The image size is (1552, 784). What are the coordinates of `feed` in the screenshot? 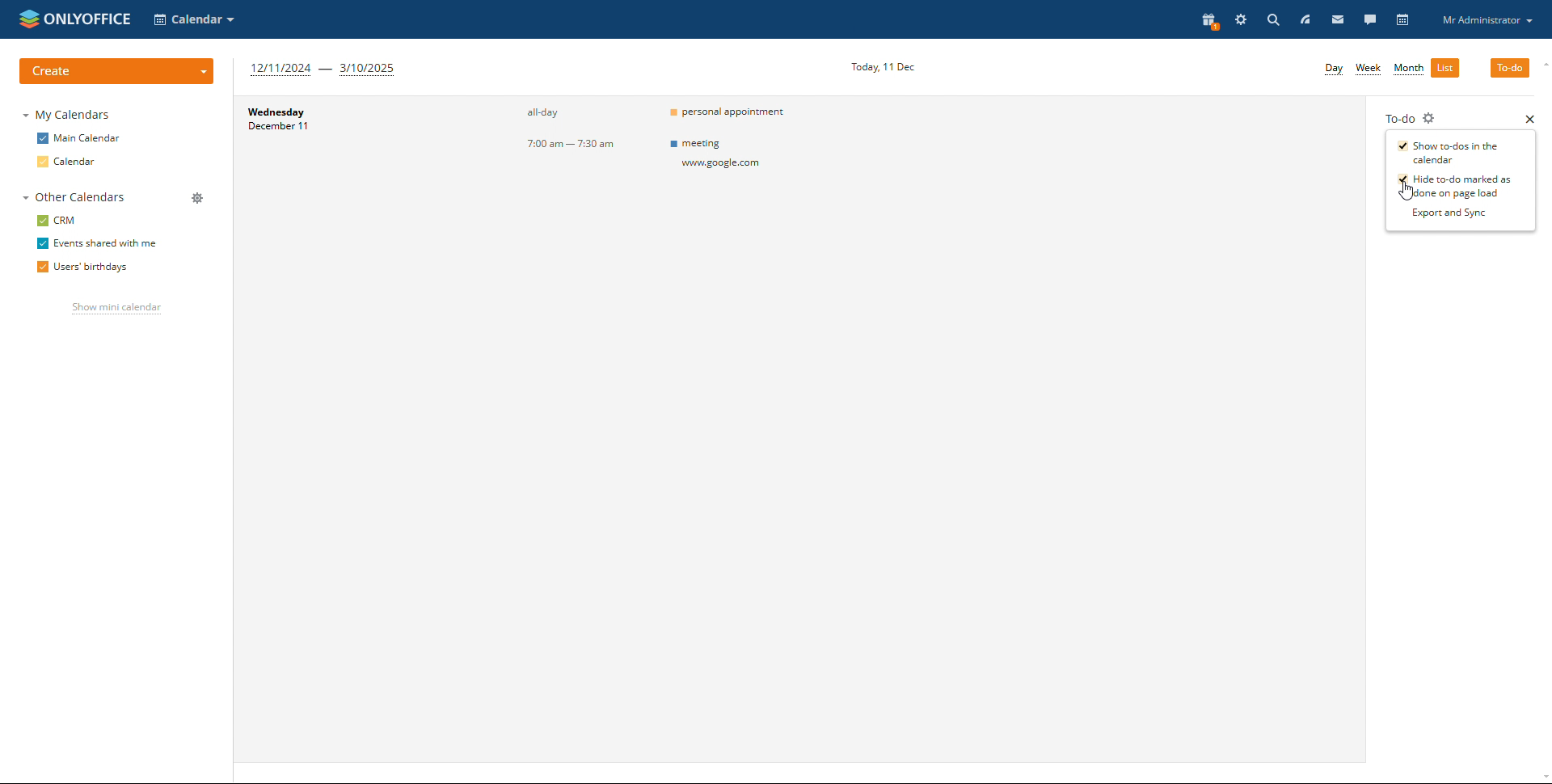 It's located at (1306, 19).